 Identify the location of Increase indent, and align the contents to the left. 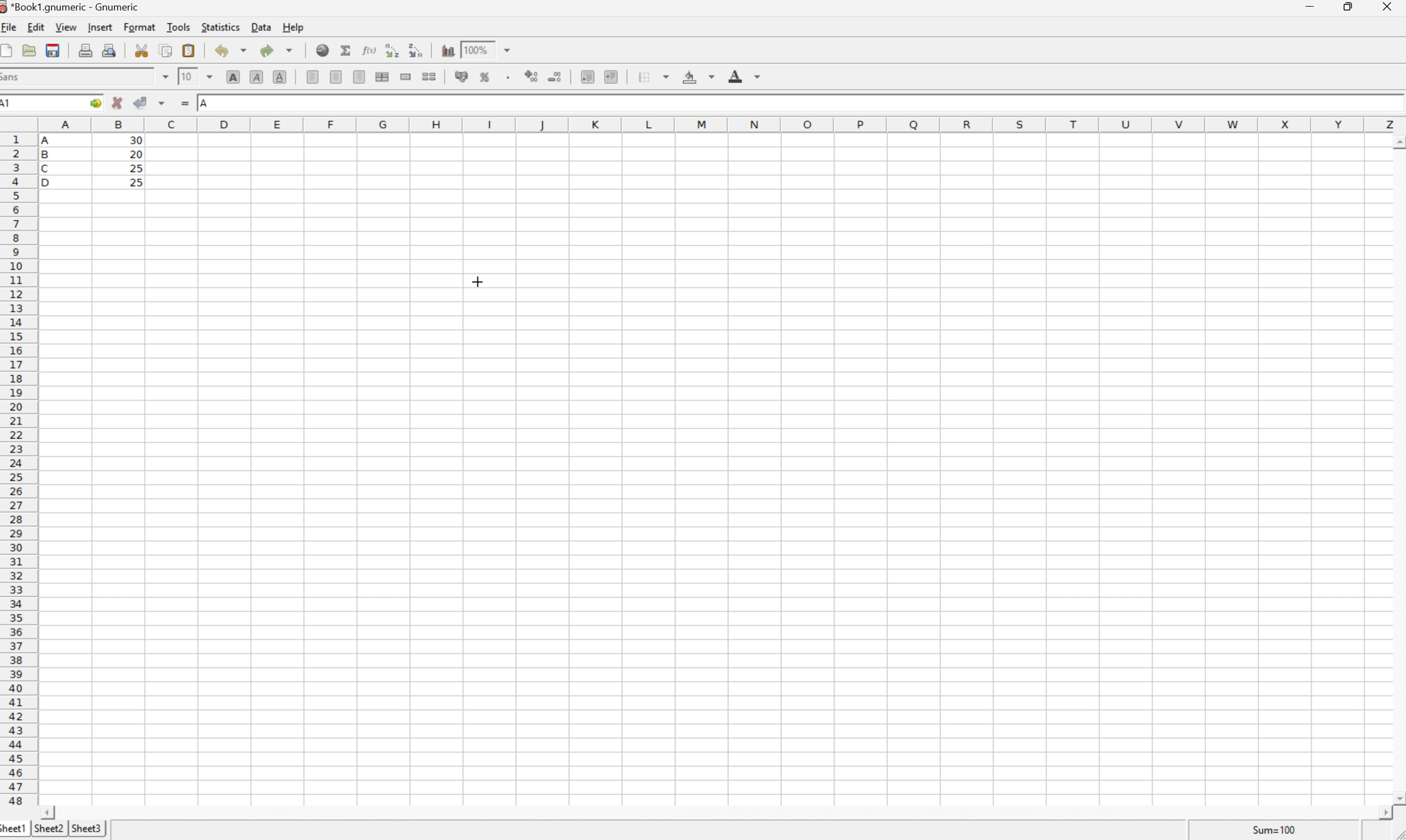
(614, 77).